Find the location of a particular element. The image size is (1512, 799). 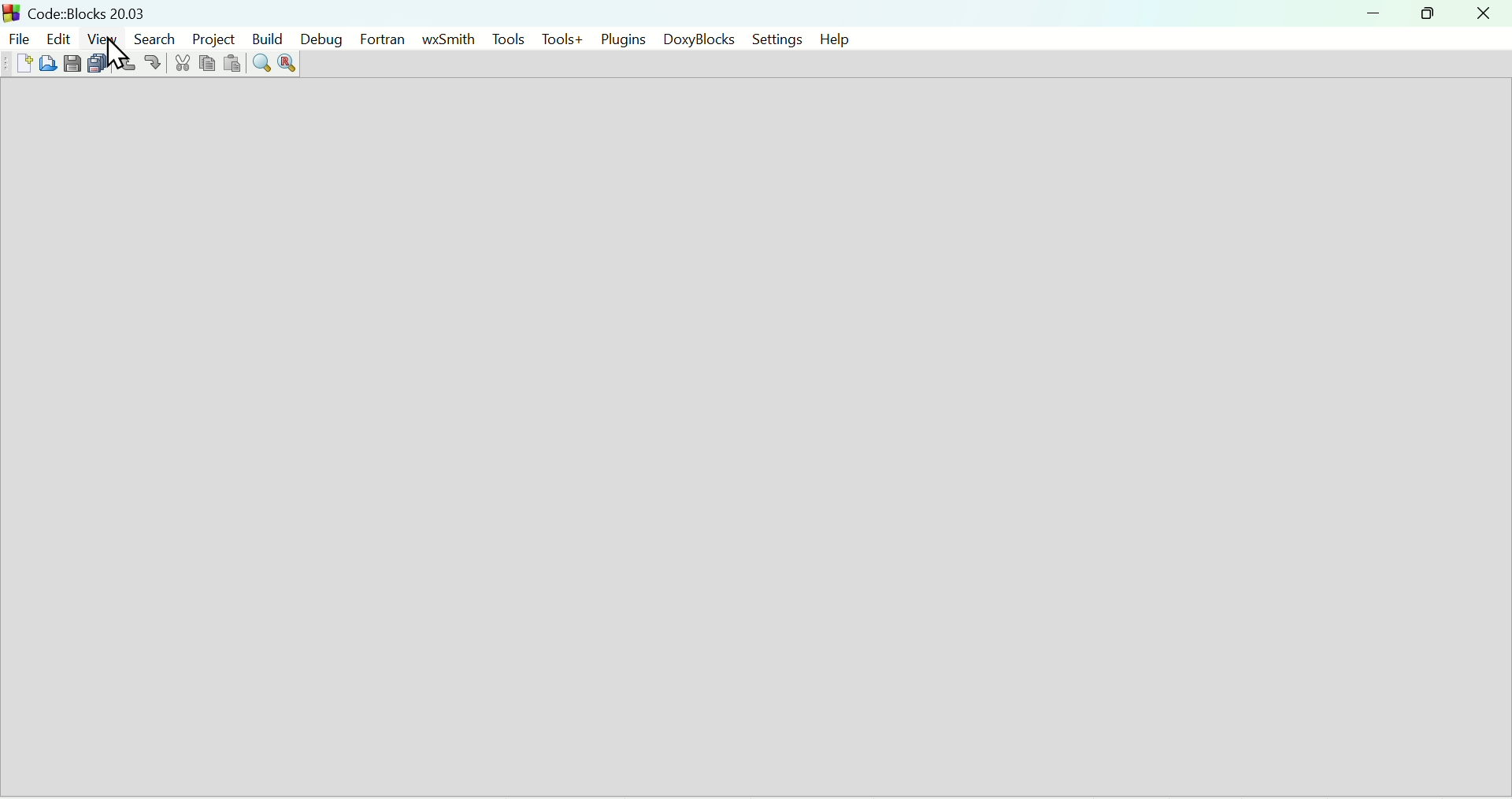

Undo is located at coordinates (127, 63).